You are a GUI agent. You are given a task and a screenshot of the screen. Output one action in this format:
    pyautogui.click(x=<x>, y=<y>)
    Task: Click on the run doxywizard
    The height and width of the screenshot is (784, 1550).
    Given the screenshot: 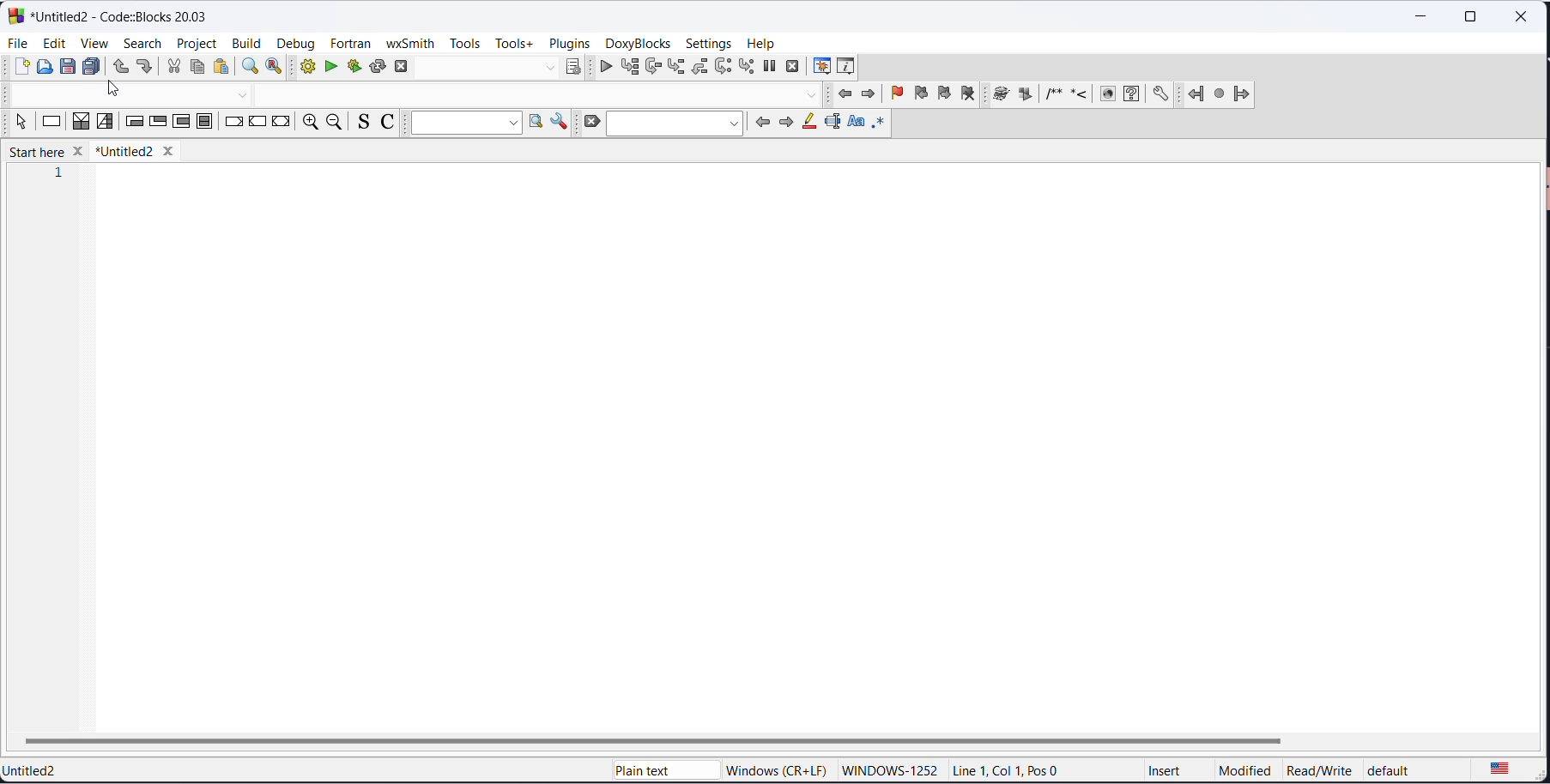 What is the action you would take?
    pyautogui.click(x=1002, y=97)
    